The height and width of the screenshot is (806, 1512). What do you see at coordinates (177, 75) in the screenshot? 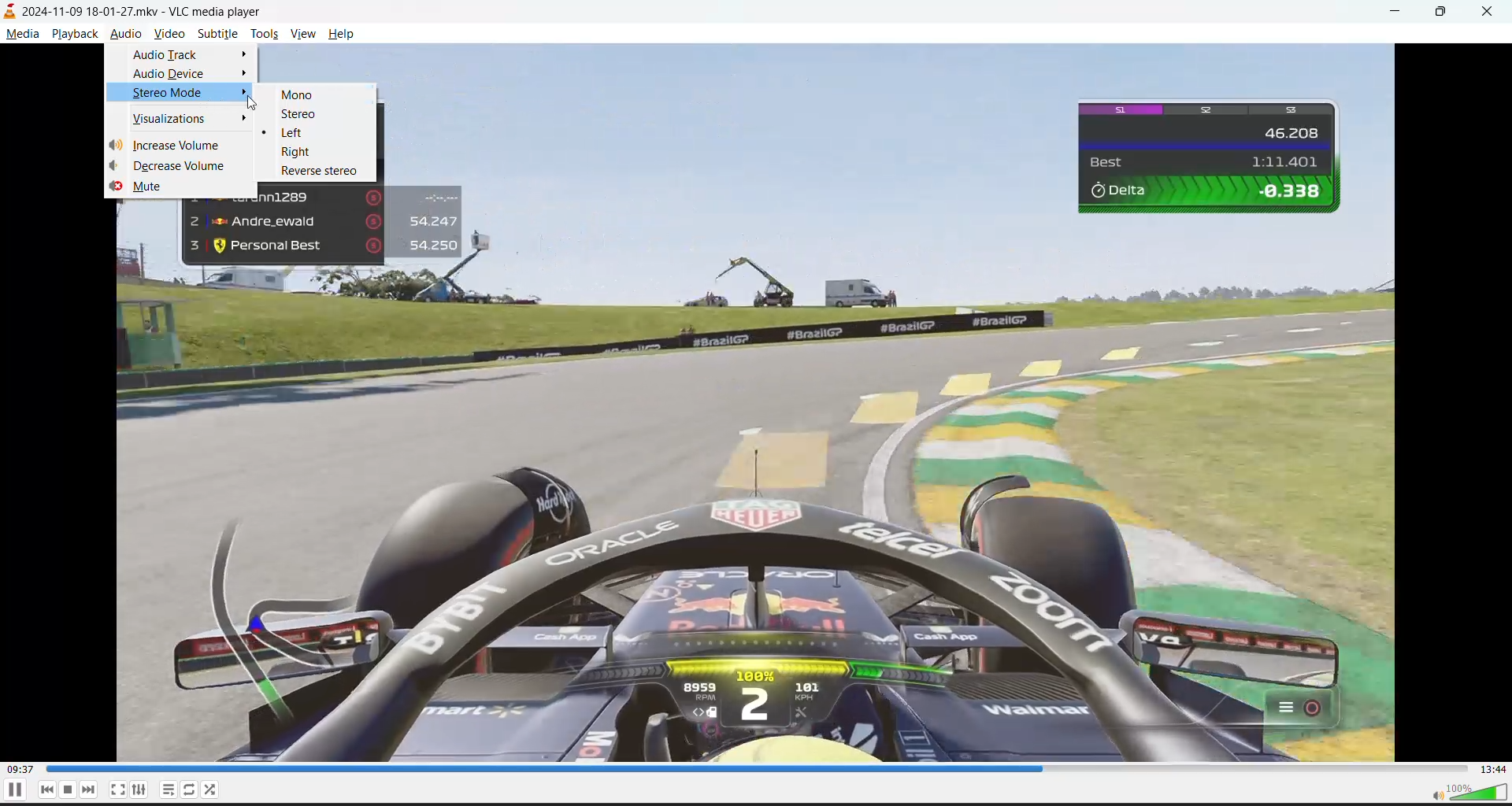
I see `audio device` at bounding box center [177, 75].